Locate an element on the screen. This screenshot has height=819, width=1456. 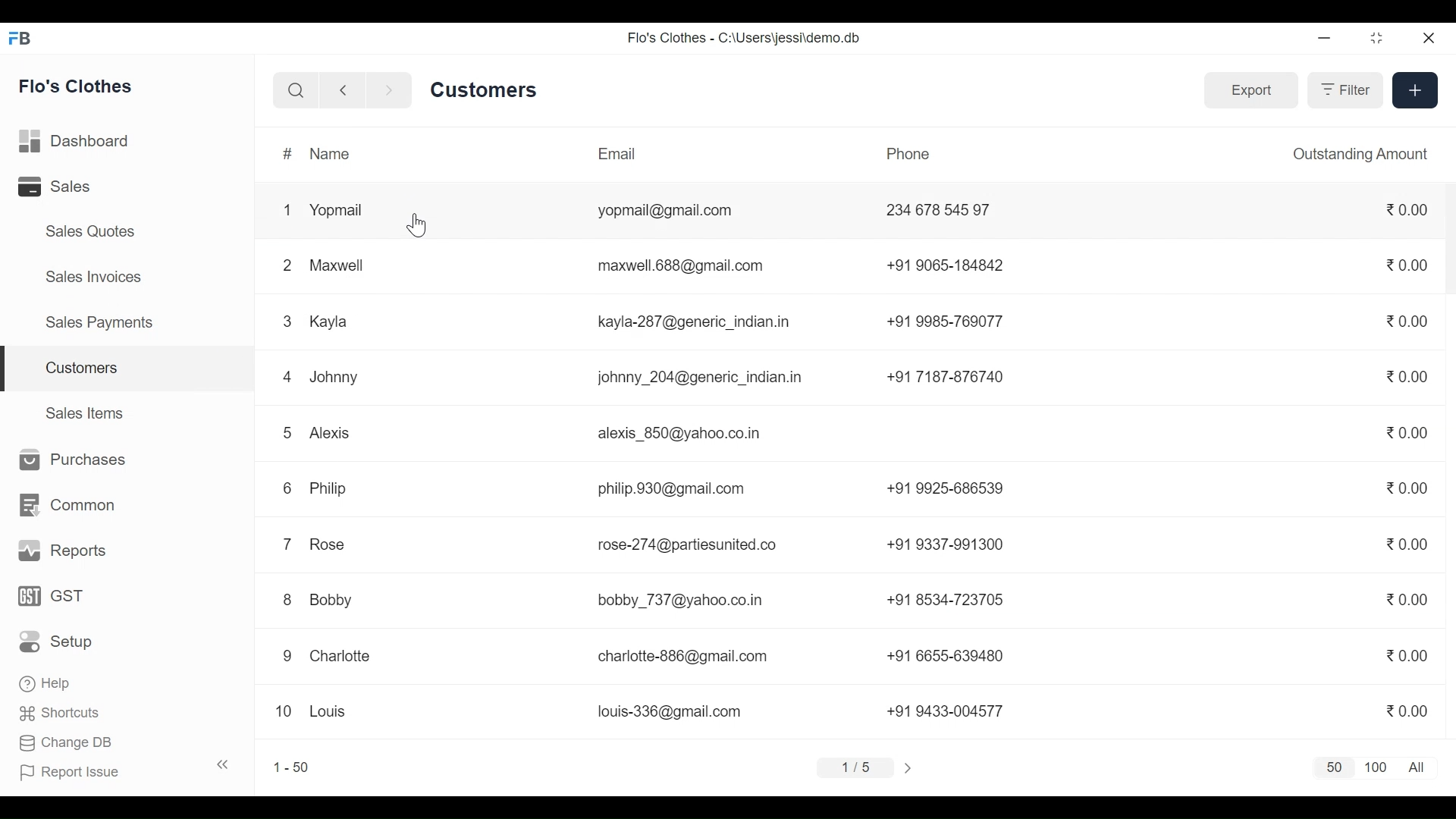
50 is located at coordinates (1335, 767).